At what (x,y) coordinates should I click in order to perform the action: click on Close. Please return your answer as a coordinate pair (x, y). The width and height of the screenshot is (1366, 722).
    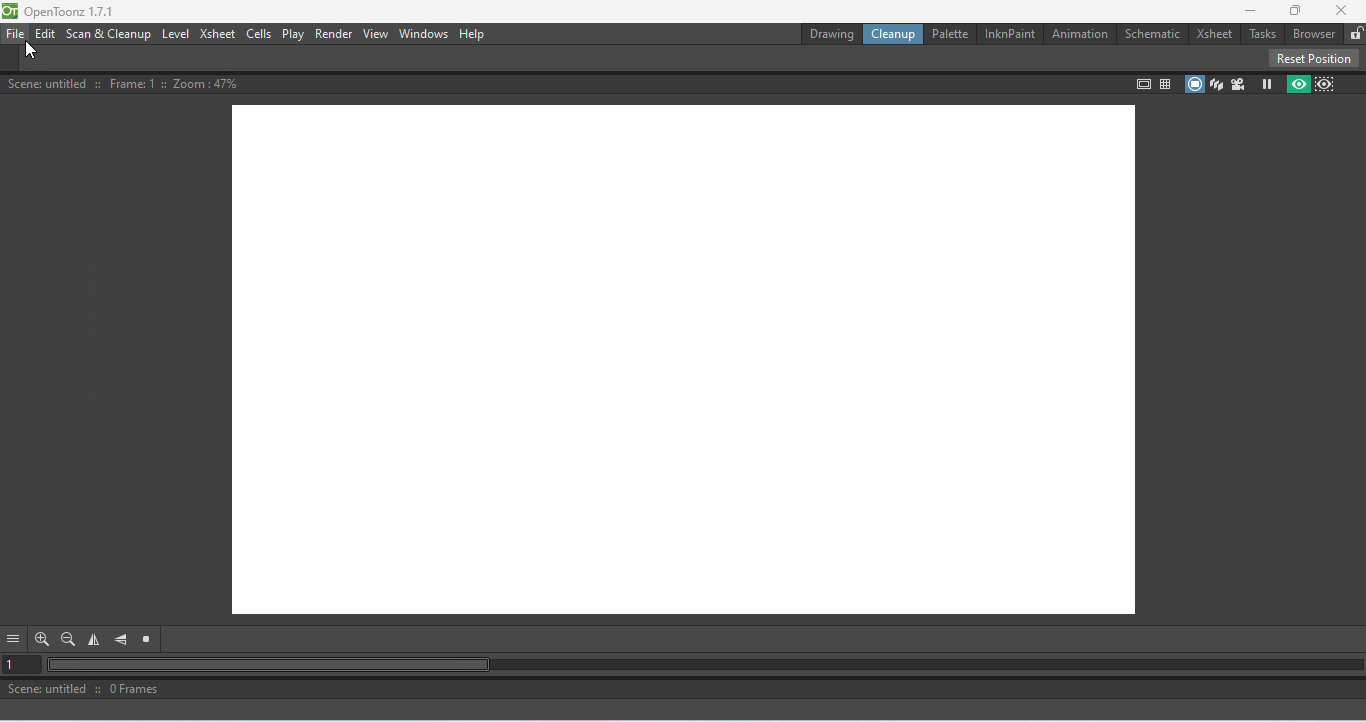
    Looking at the image, I should click on (1342, 10).